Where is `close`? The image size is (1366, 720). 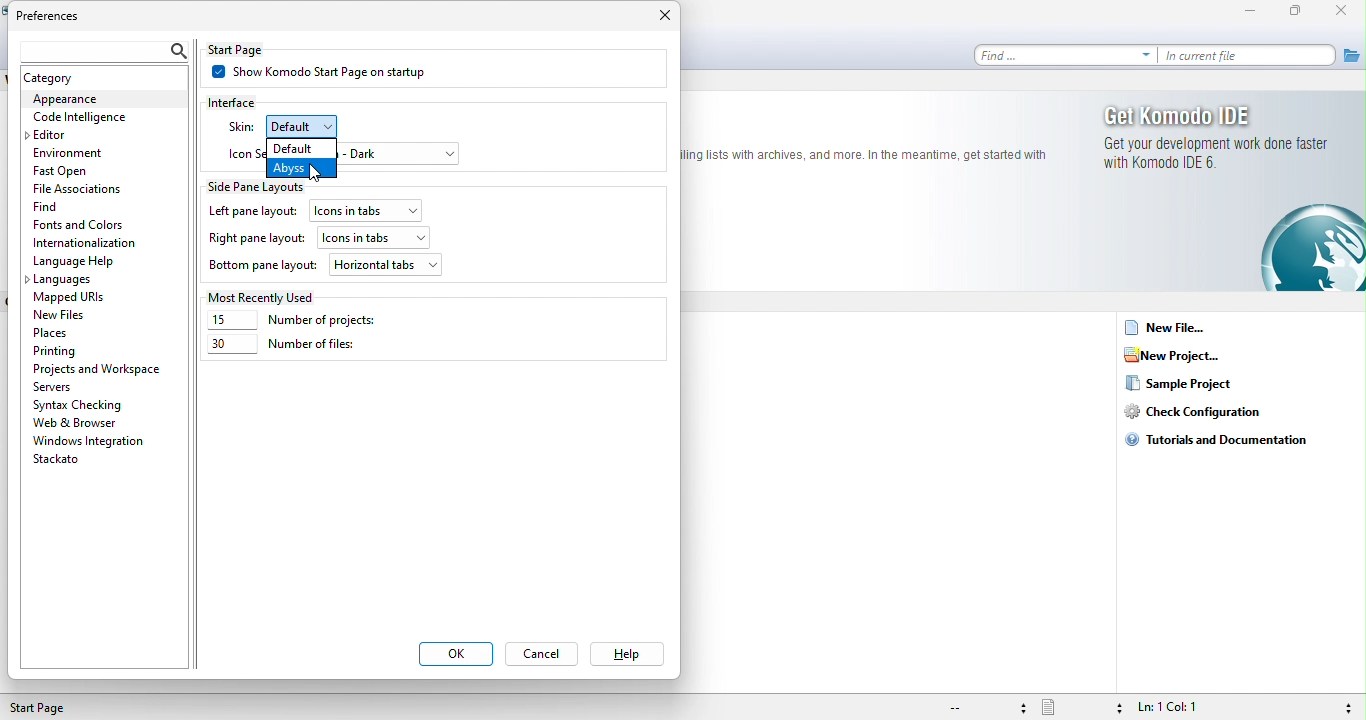 close is located at coordinates (660, 19).